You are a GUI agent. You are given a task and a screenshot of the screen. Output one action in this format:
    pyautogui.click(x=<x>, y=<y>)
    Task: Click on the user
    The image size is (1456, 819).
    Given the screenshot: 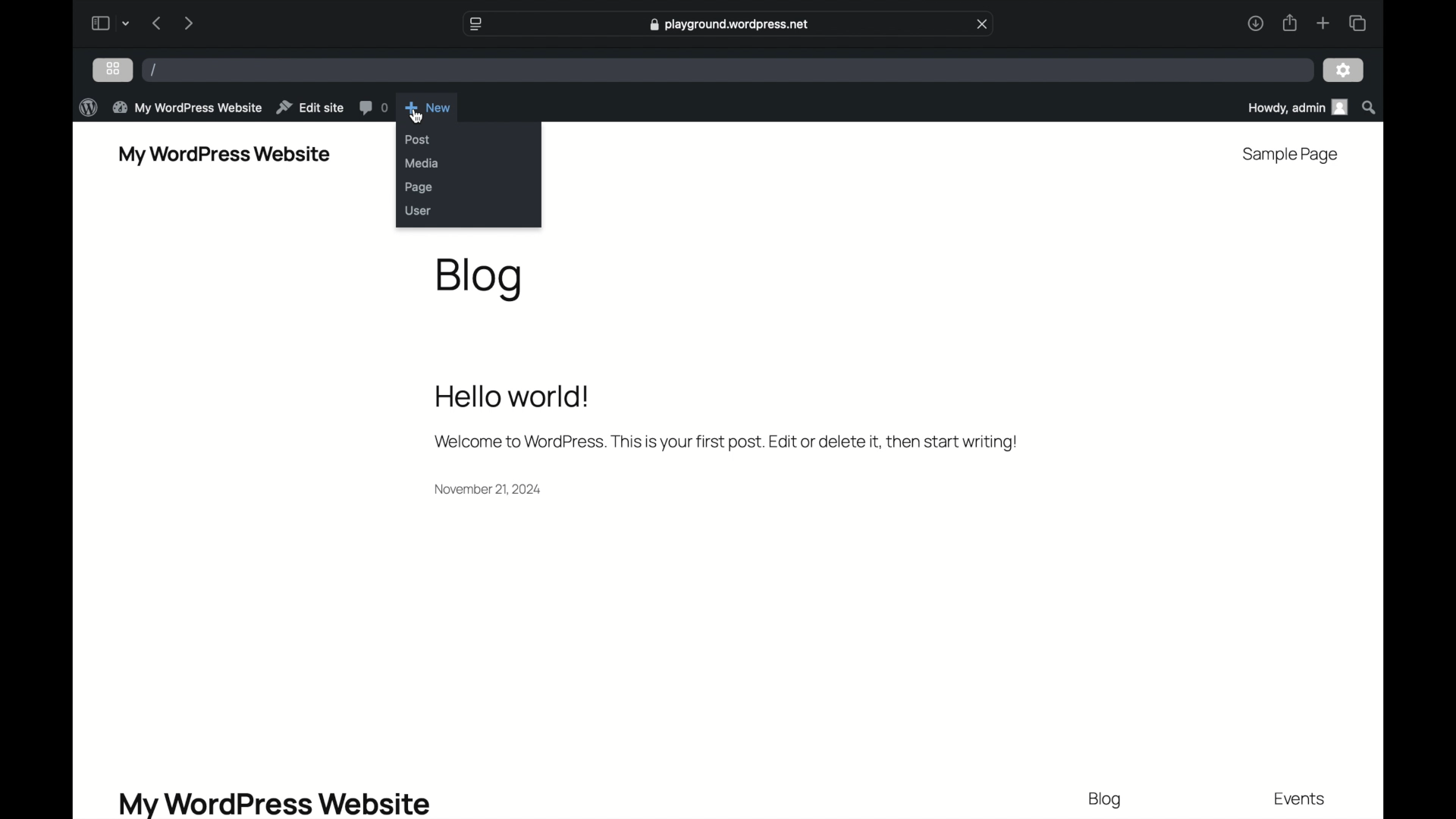 What is the action you would take?
    pyautogui.click(x=419, y=211)
    